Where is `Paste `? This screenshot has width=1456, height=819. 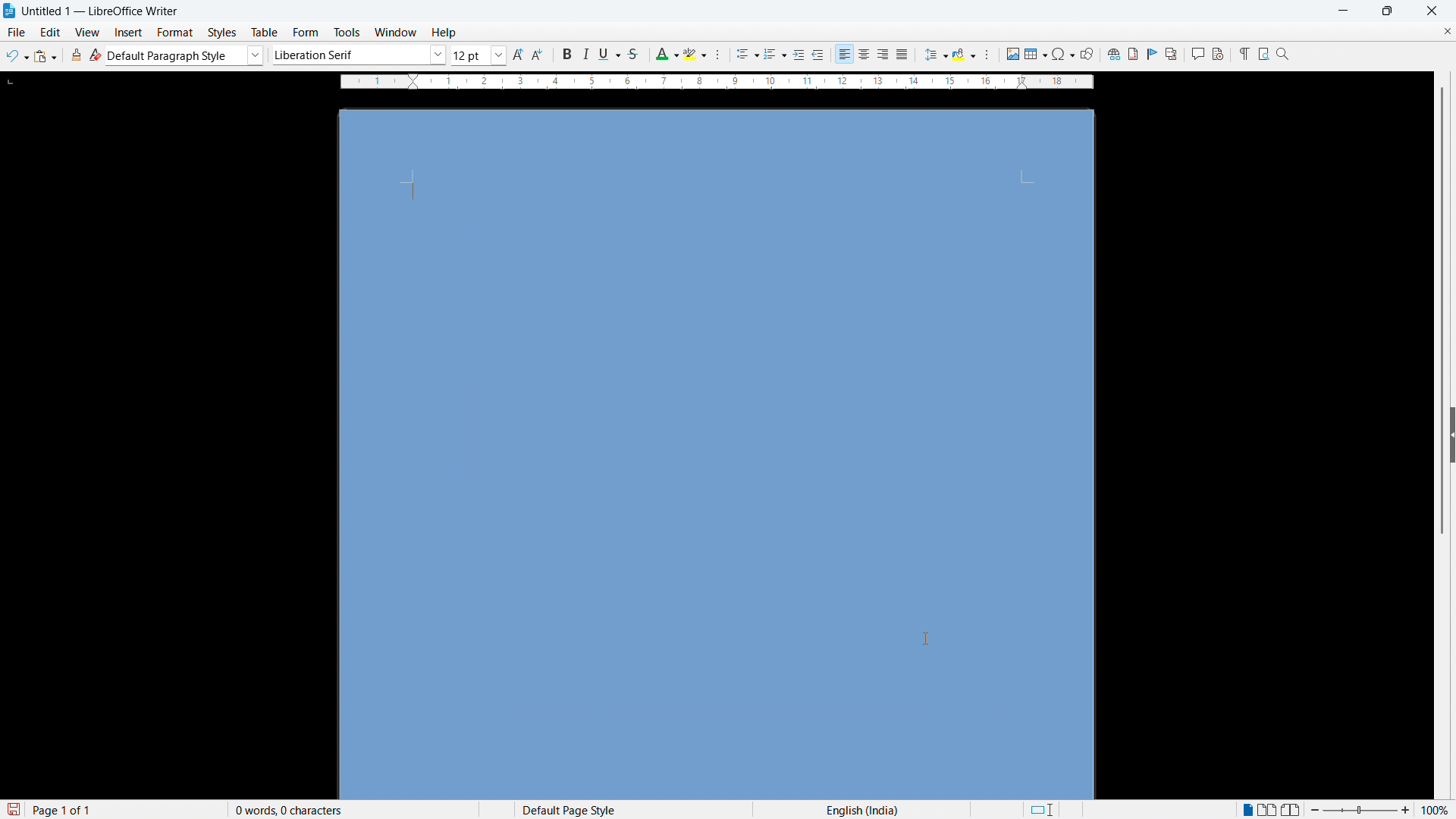
Paste  is located at coordinates (45, 56).